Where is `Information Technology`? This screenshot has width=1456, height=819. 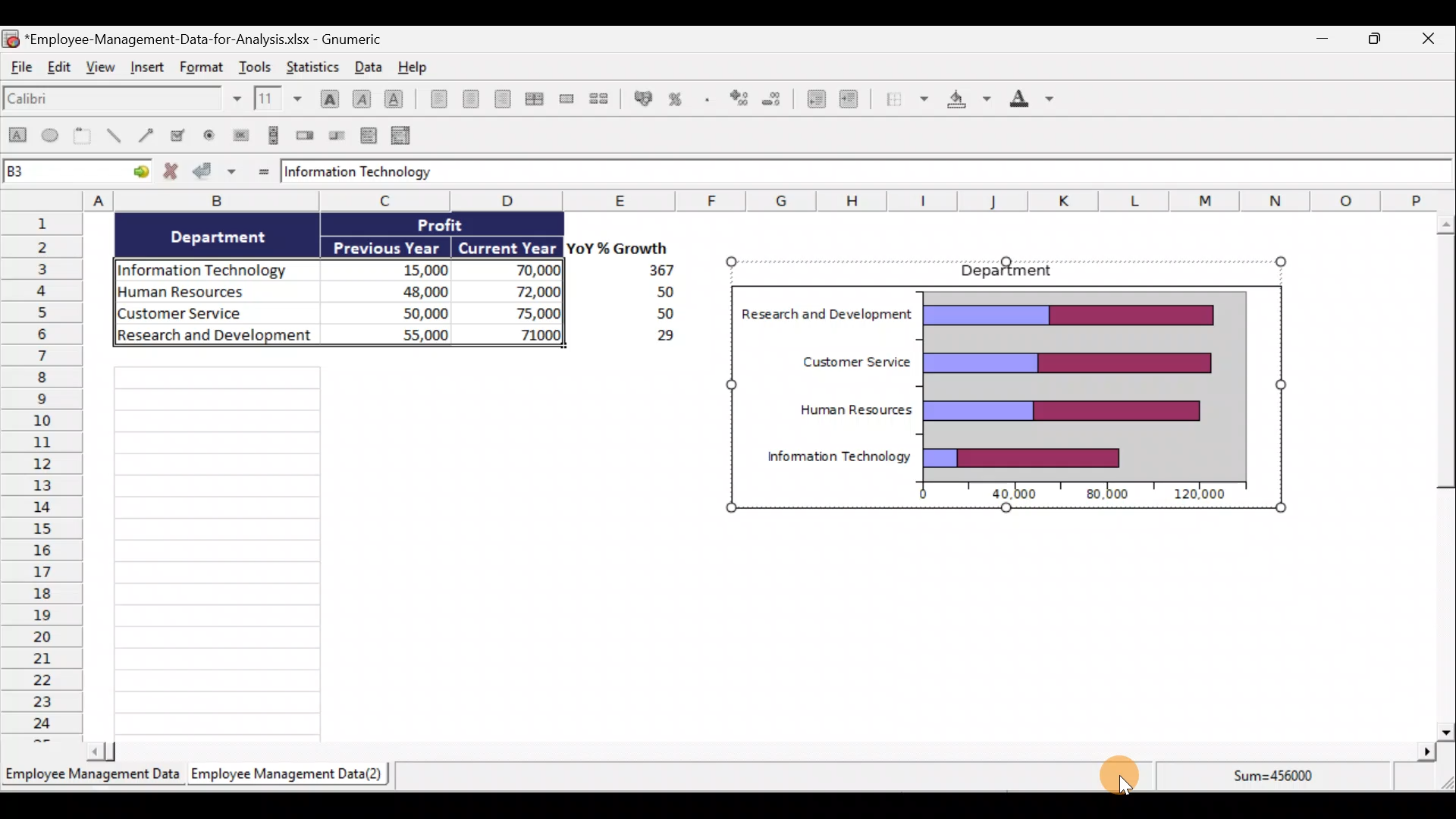 Information Technology is located at coordinates (362, 172).